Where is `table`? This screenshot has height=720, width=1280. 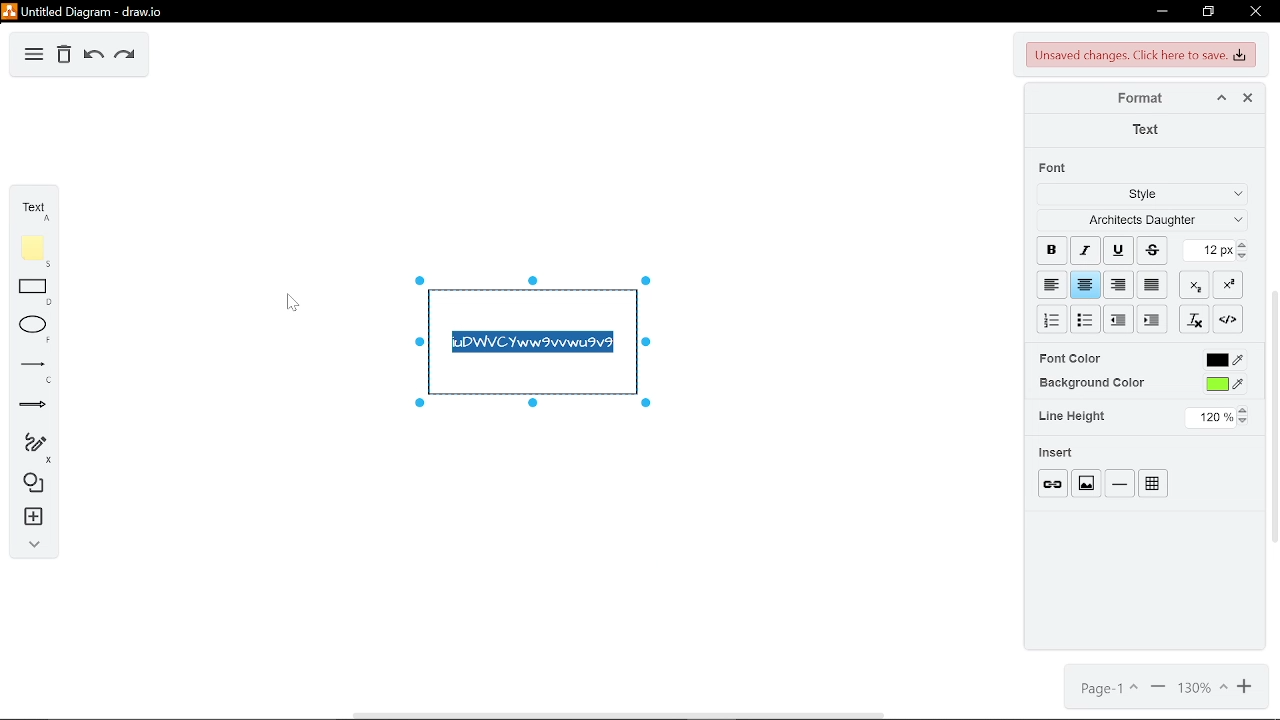 table is located at coordinates (1153, 484).